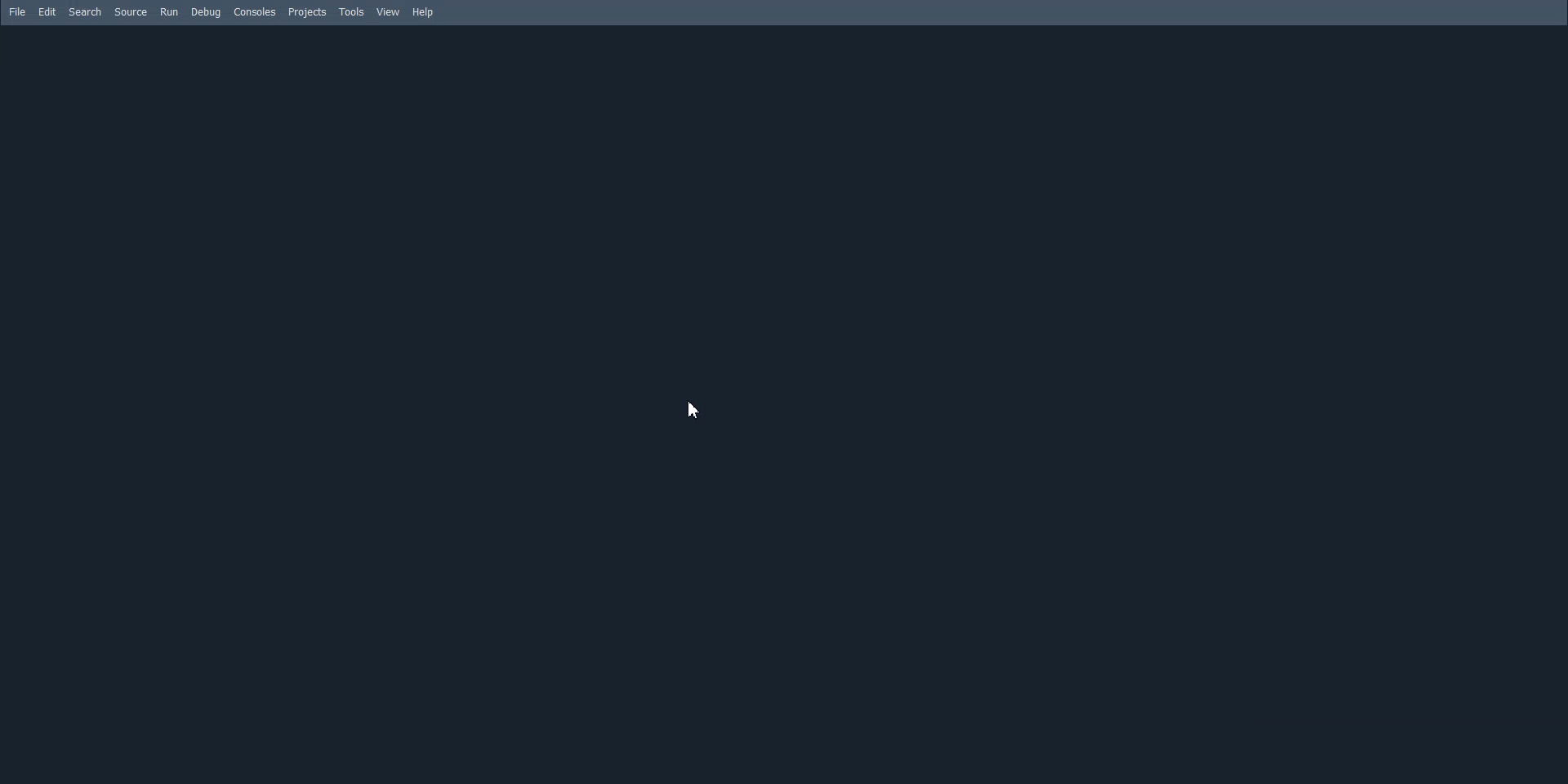 The image size is (1568, 784). I want to click on Consoles, so click(254, 11).